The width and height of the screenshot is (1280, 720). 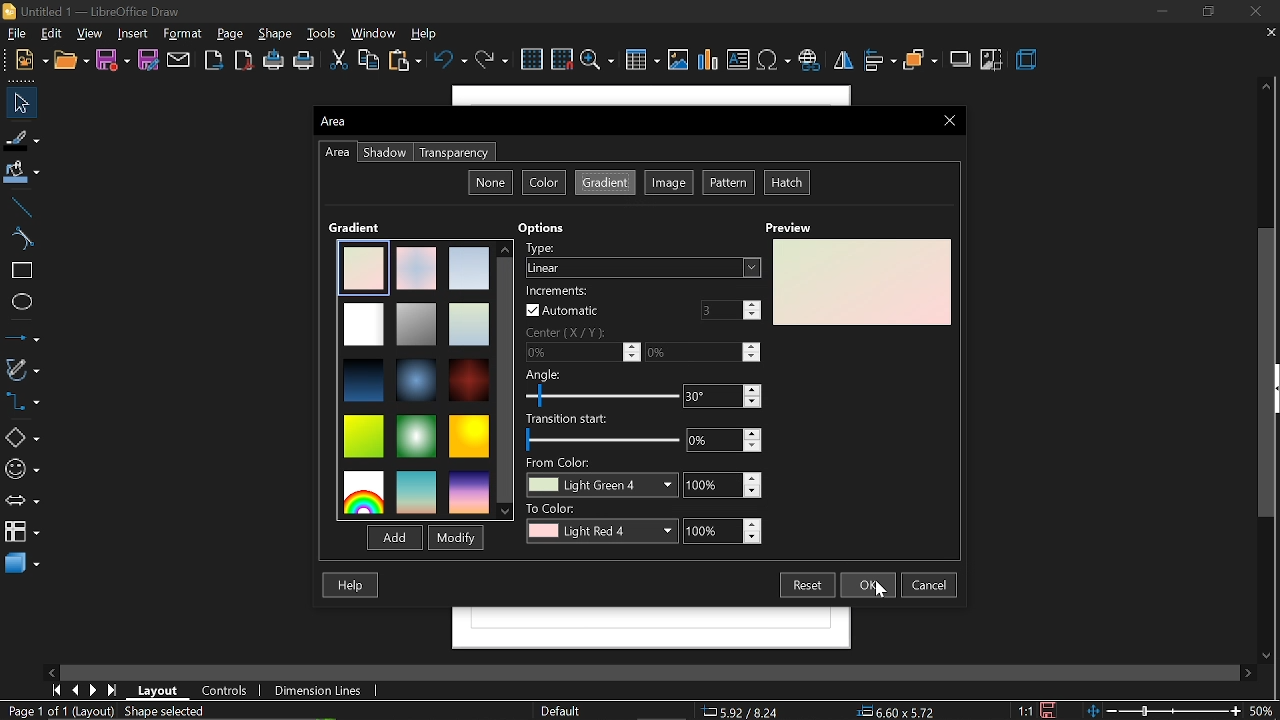 I want to click on page, so click(x=232, y=35).